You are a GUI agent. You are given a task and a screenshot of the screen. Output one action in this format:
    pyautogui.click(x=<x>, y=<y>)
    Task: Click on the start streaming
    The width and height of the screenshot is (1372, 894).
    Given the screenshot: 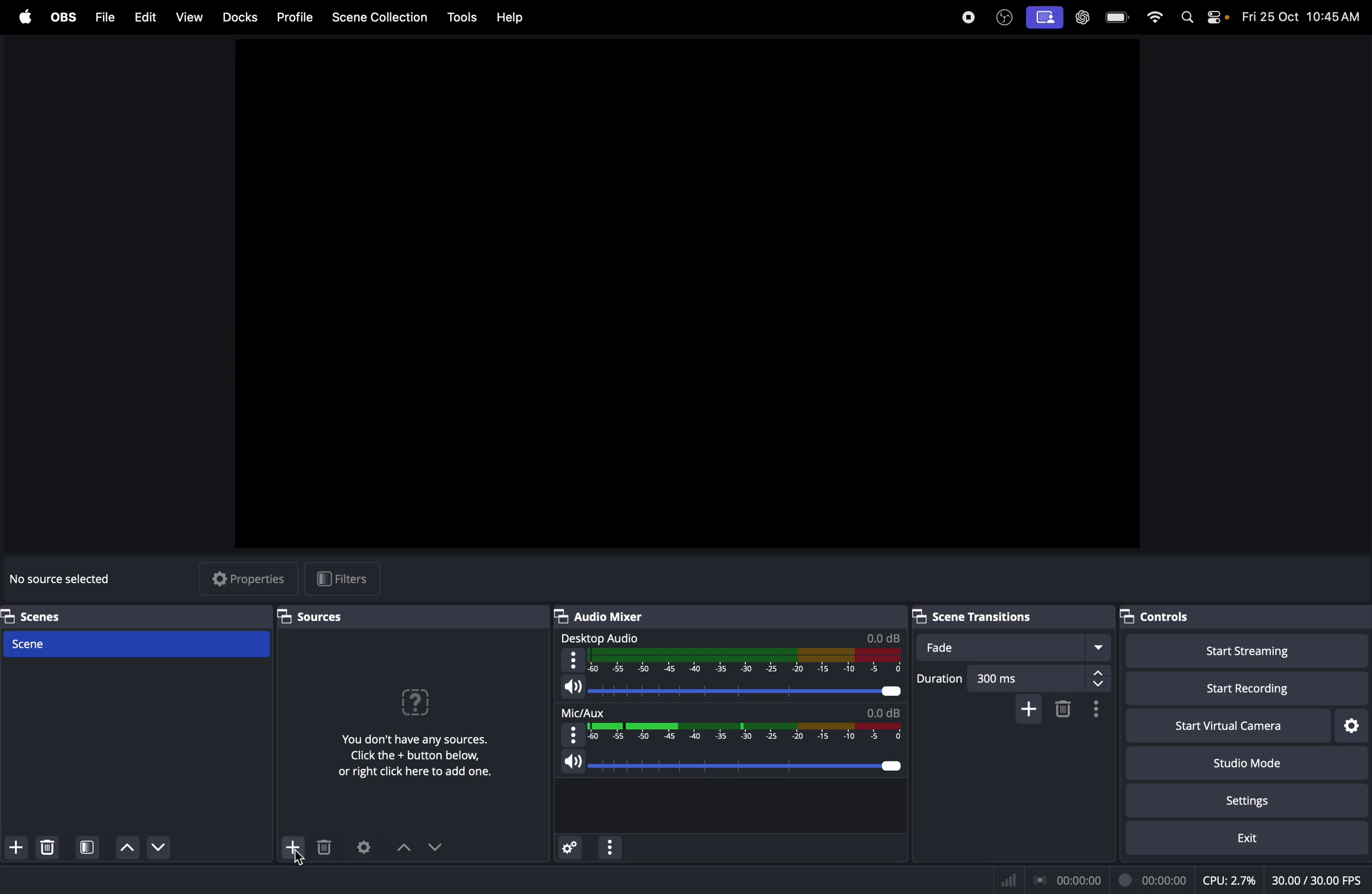 What is the action you would take?
    pyautogui.click(x=1241, y=652)
    